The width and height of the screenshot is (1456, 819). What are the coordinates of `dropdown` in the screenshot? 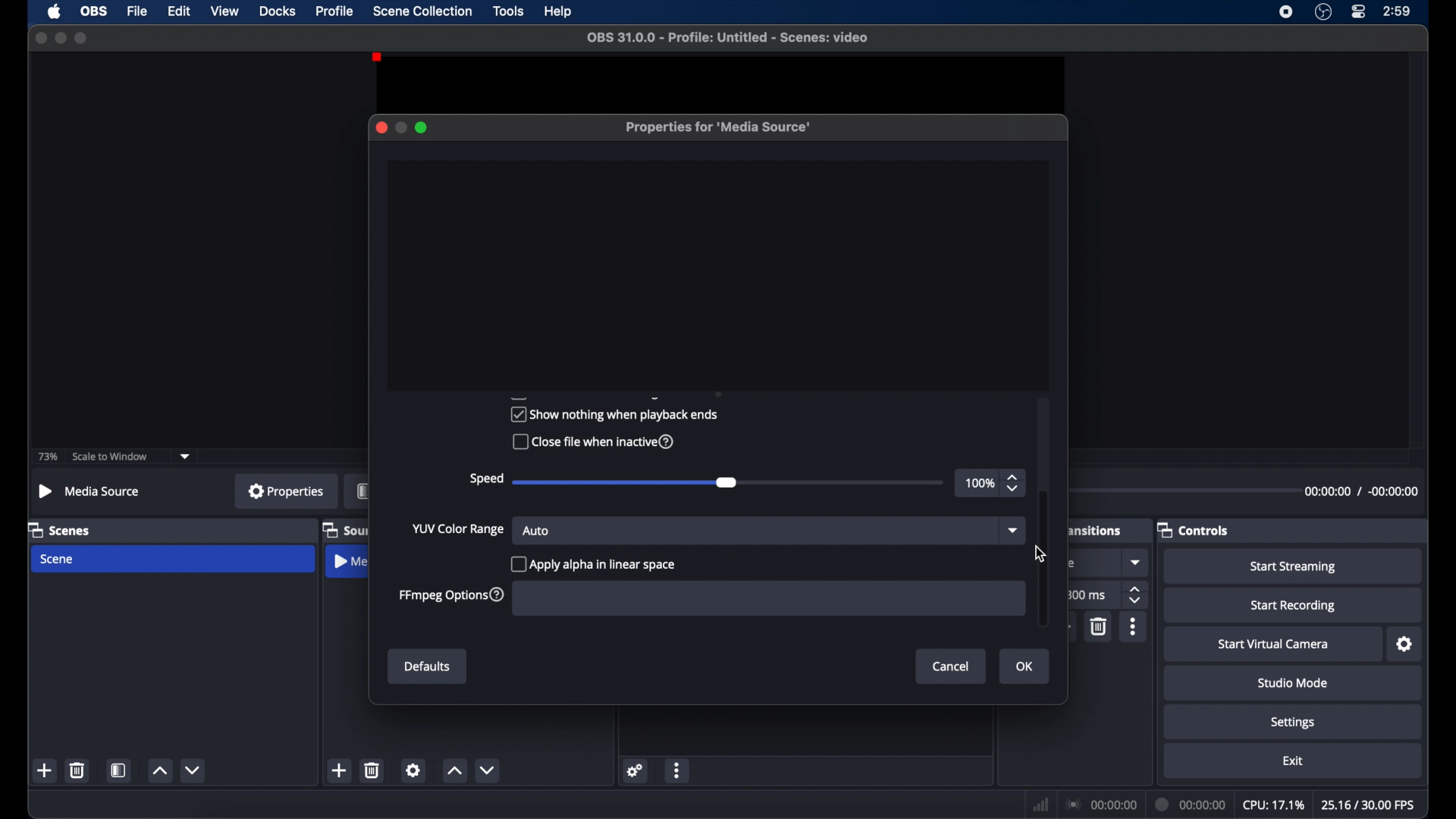 It's located at (1015, 532).